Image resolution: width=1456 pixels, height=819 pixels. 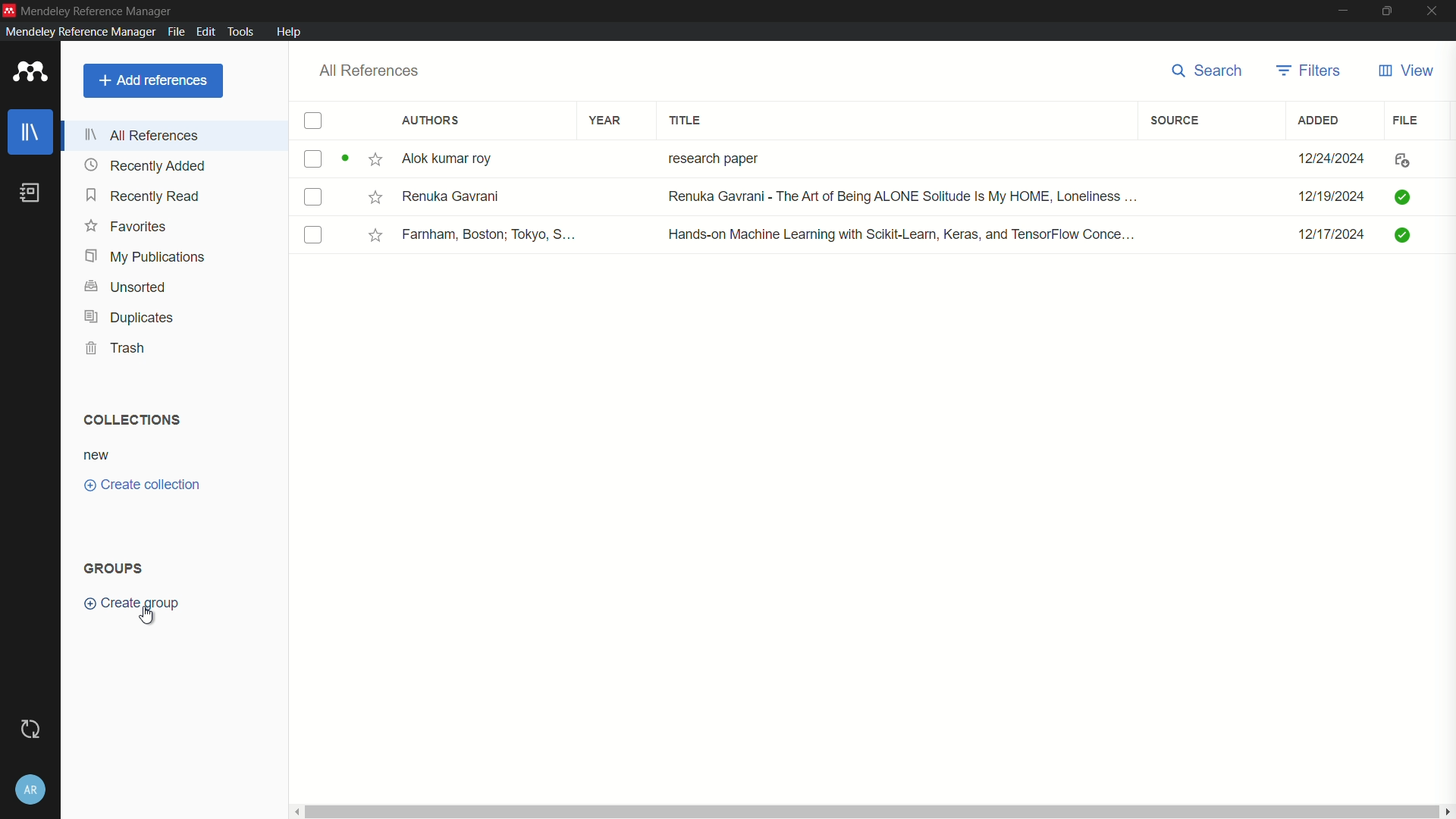 What do you see at coordinates (1404, 71) in the screenshot?
I see `view` at bounding box center [1404, 71].